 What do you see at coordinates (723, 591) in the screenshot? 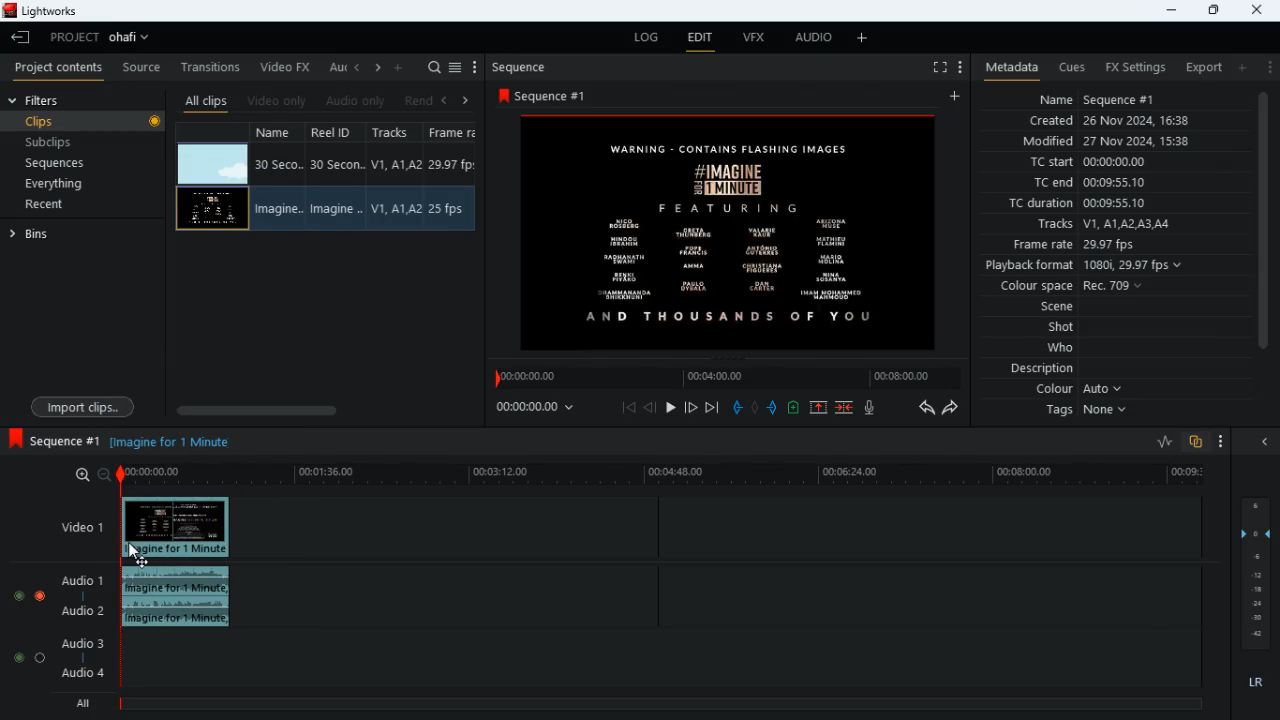
I see `timeline tracks` at bounding box center [723, 591].